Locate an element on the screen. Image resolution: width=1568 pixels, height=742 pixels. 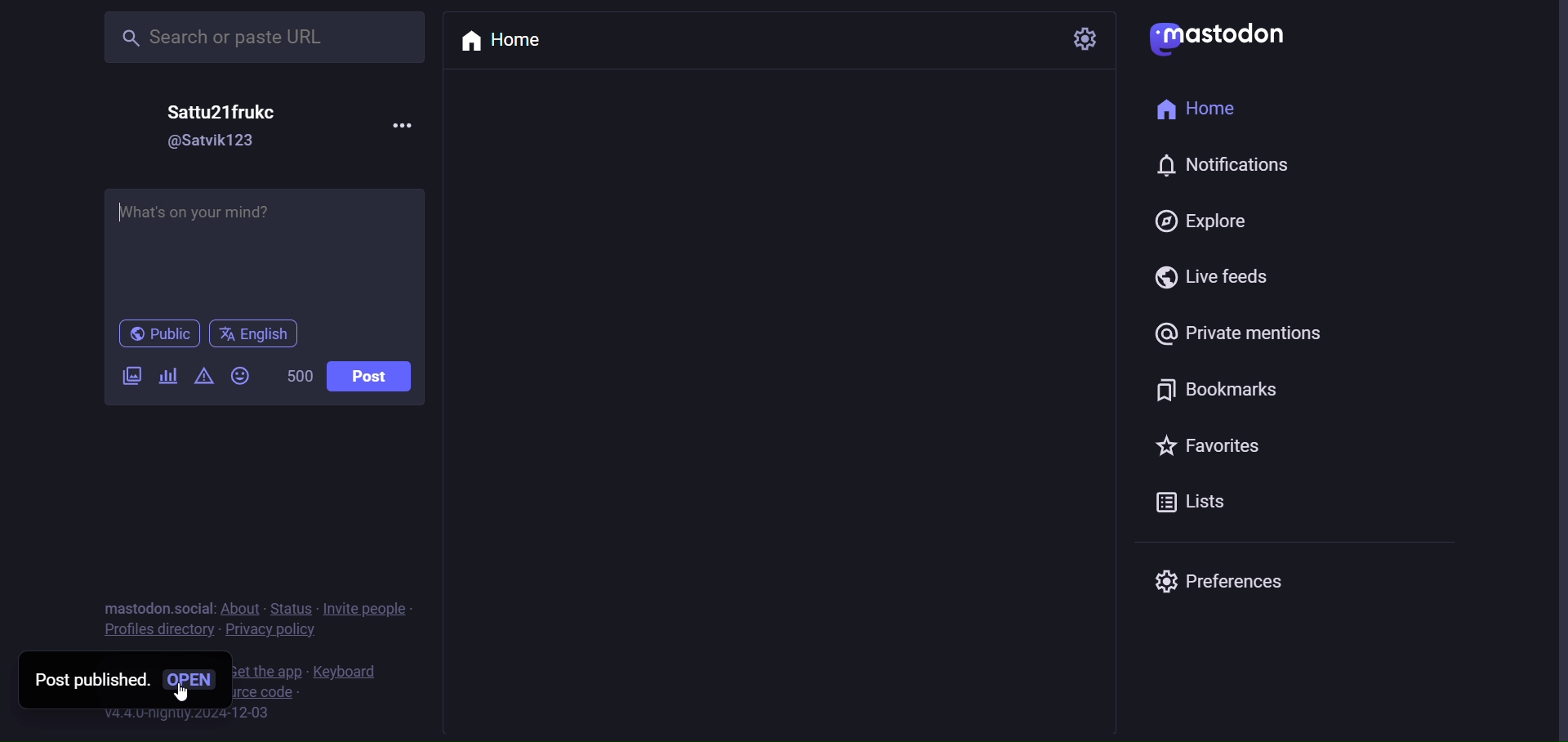
Privacy policy is located at coordinates (274, 633).